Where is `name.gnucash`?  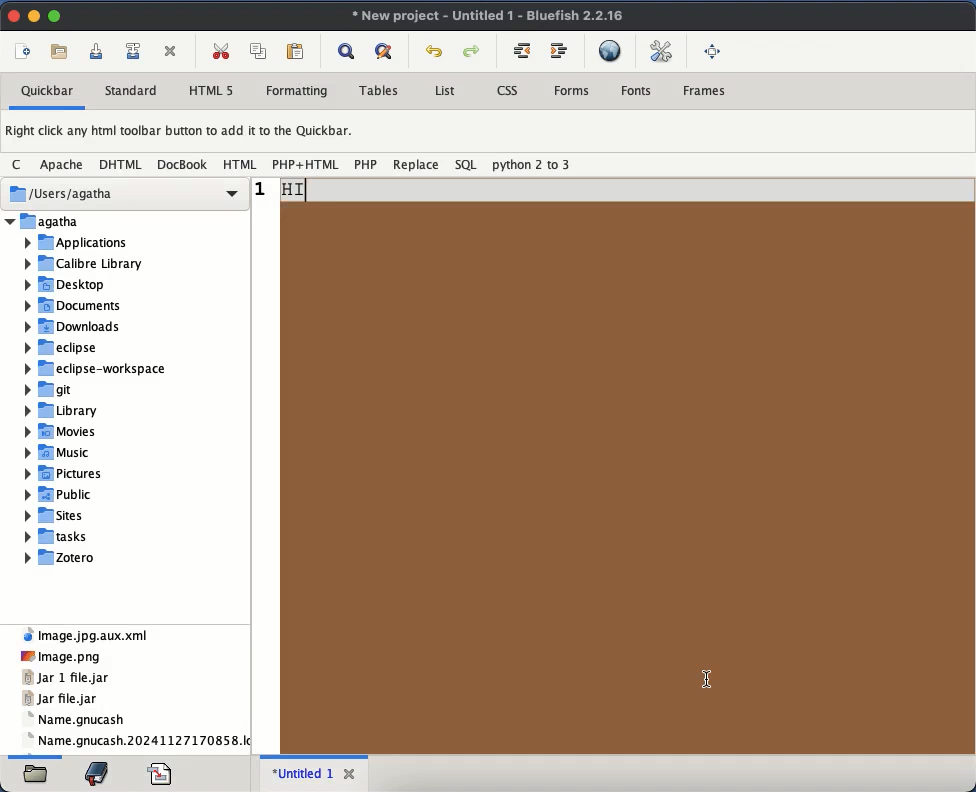 name.gnucash is located at coordinates (137, 741).